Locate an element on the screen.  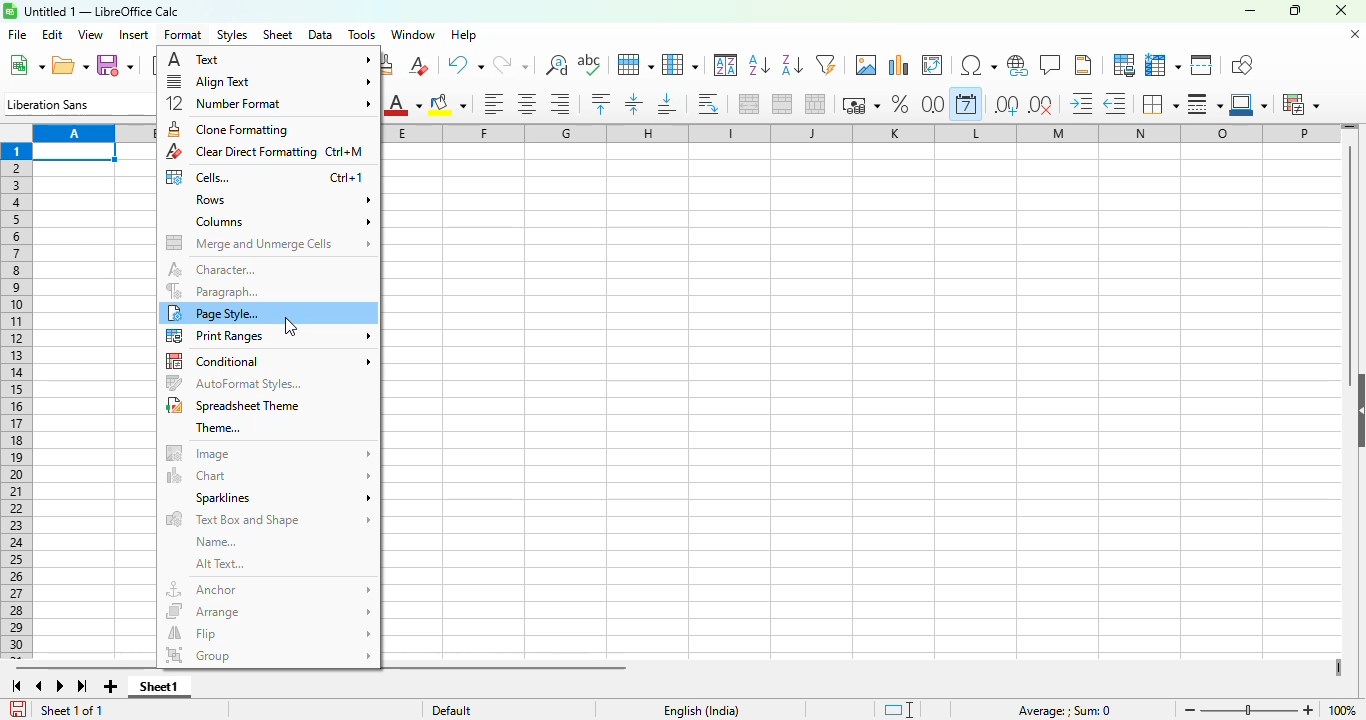
standard selection is located at coordinates (897, 709).